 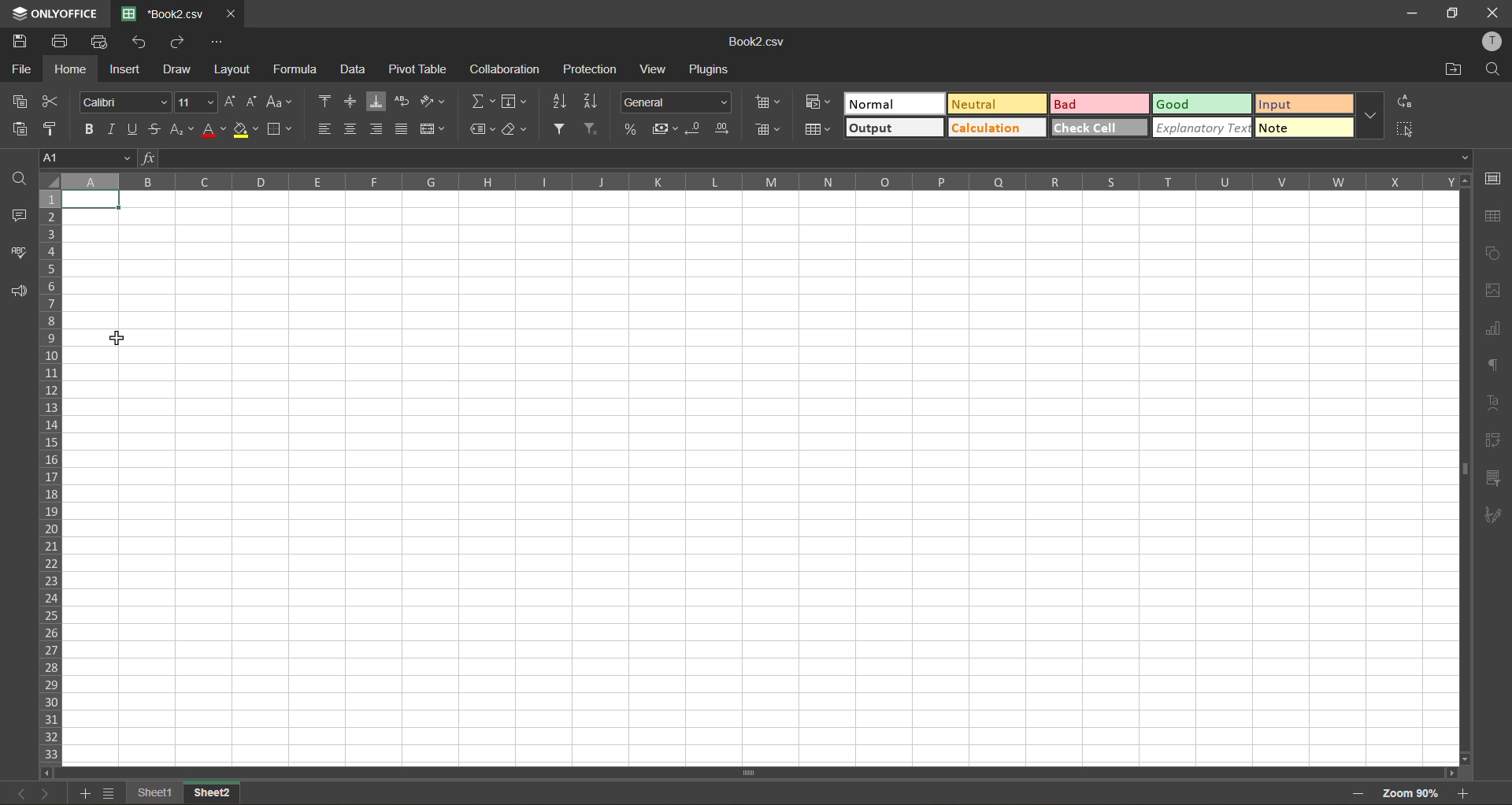 I want to click on italic, so click(x=110, y=128).